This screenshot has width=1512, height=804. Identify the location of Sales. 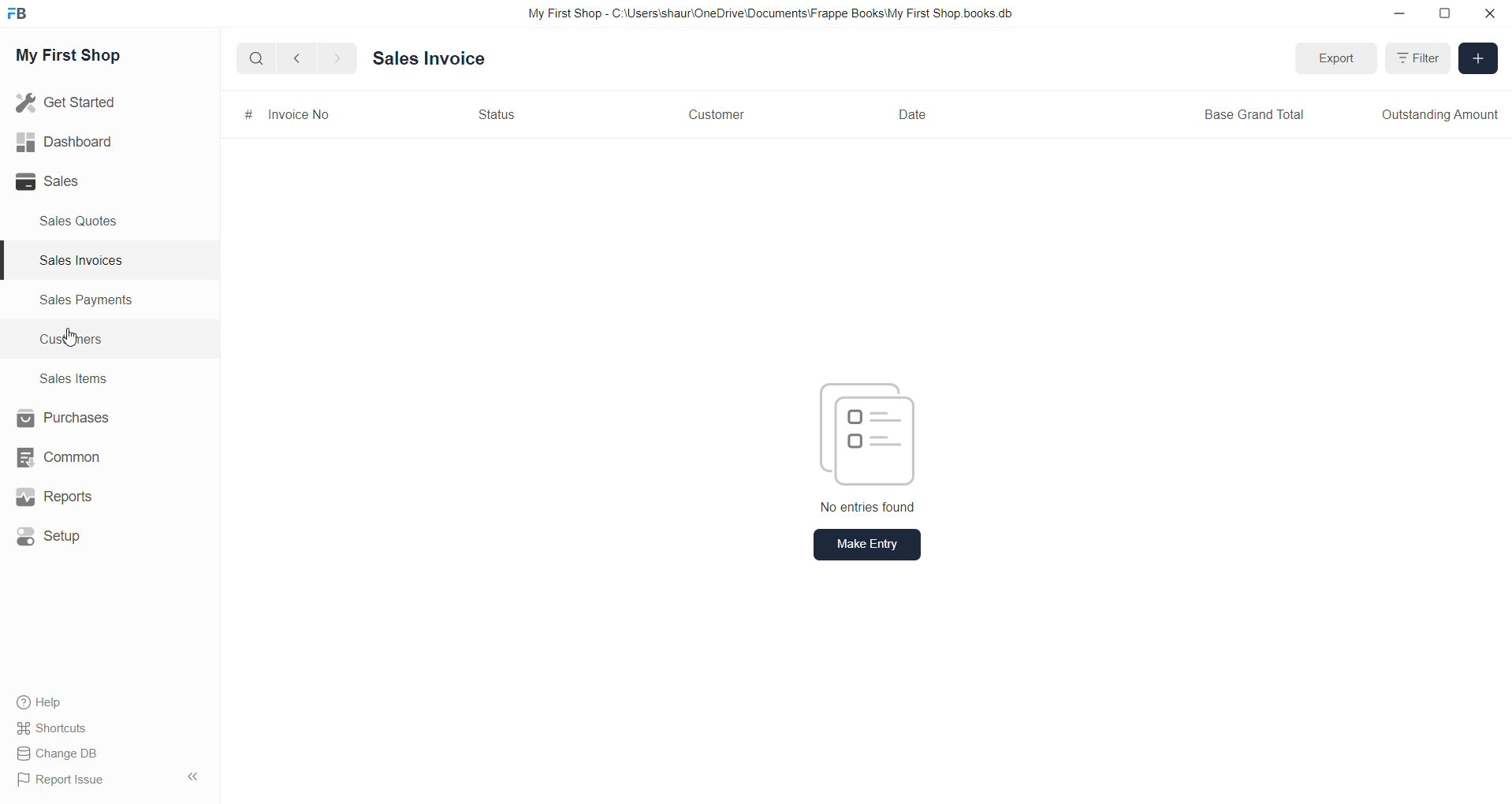
(66, 183).